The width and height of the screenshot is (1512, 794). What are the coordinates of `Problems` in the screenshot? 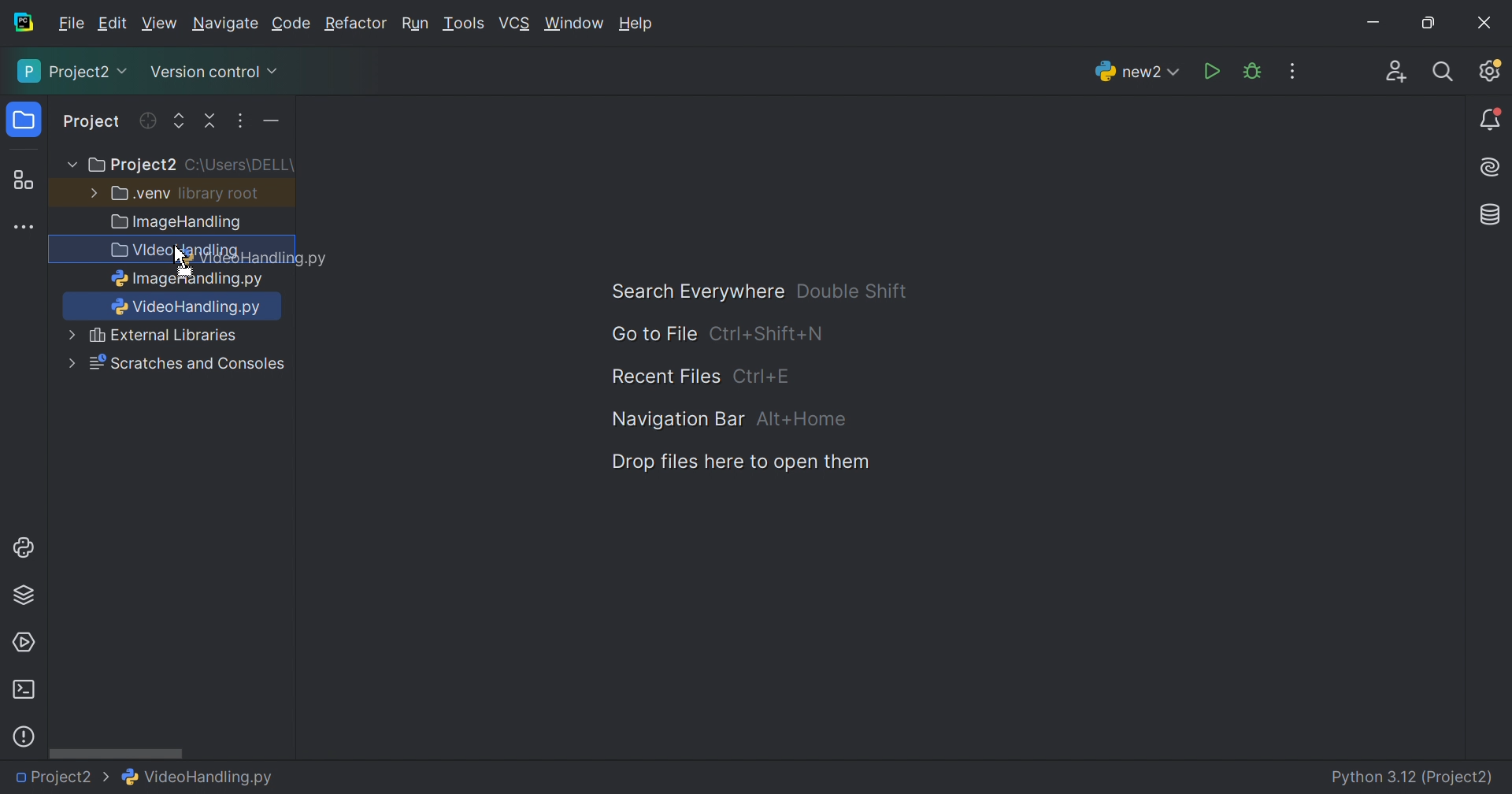 It's located at (24, 736).